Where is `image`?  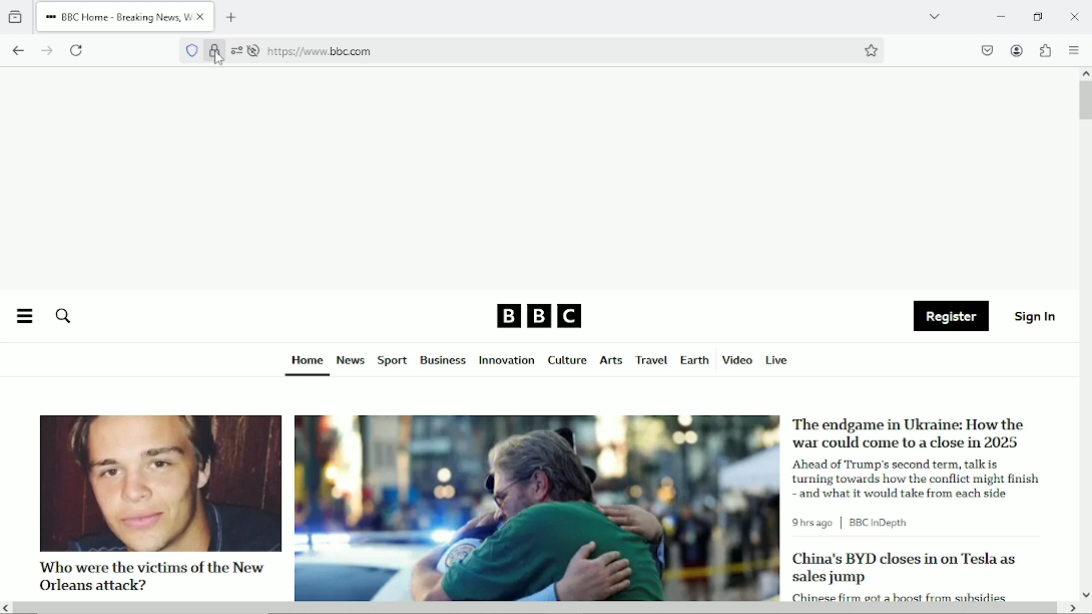
image is located at coordinates (159, 483).